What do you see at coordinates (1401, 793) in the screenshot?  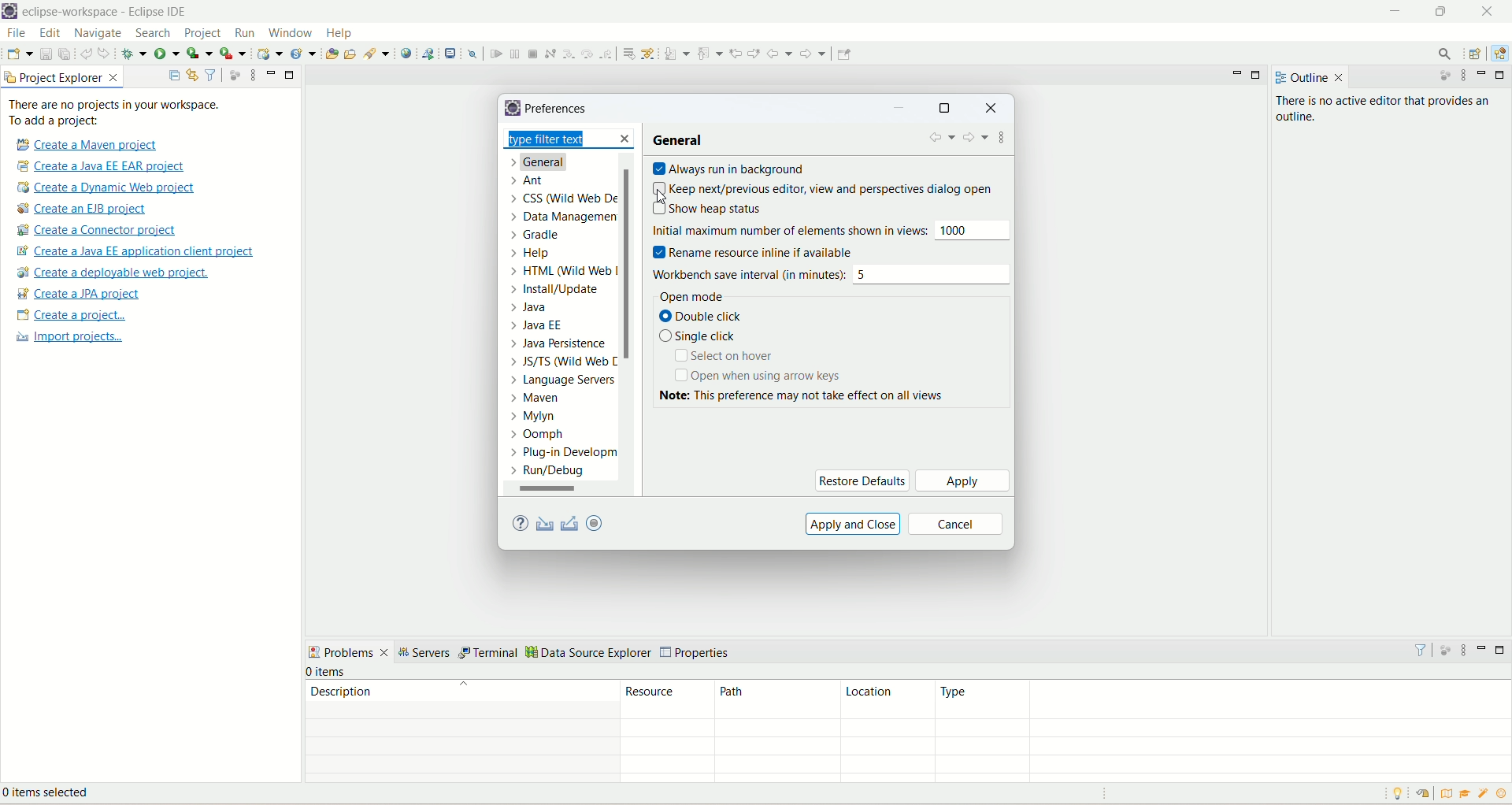 I see `tip of the day` at bounding box center [1401, 793].